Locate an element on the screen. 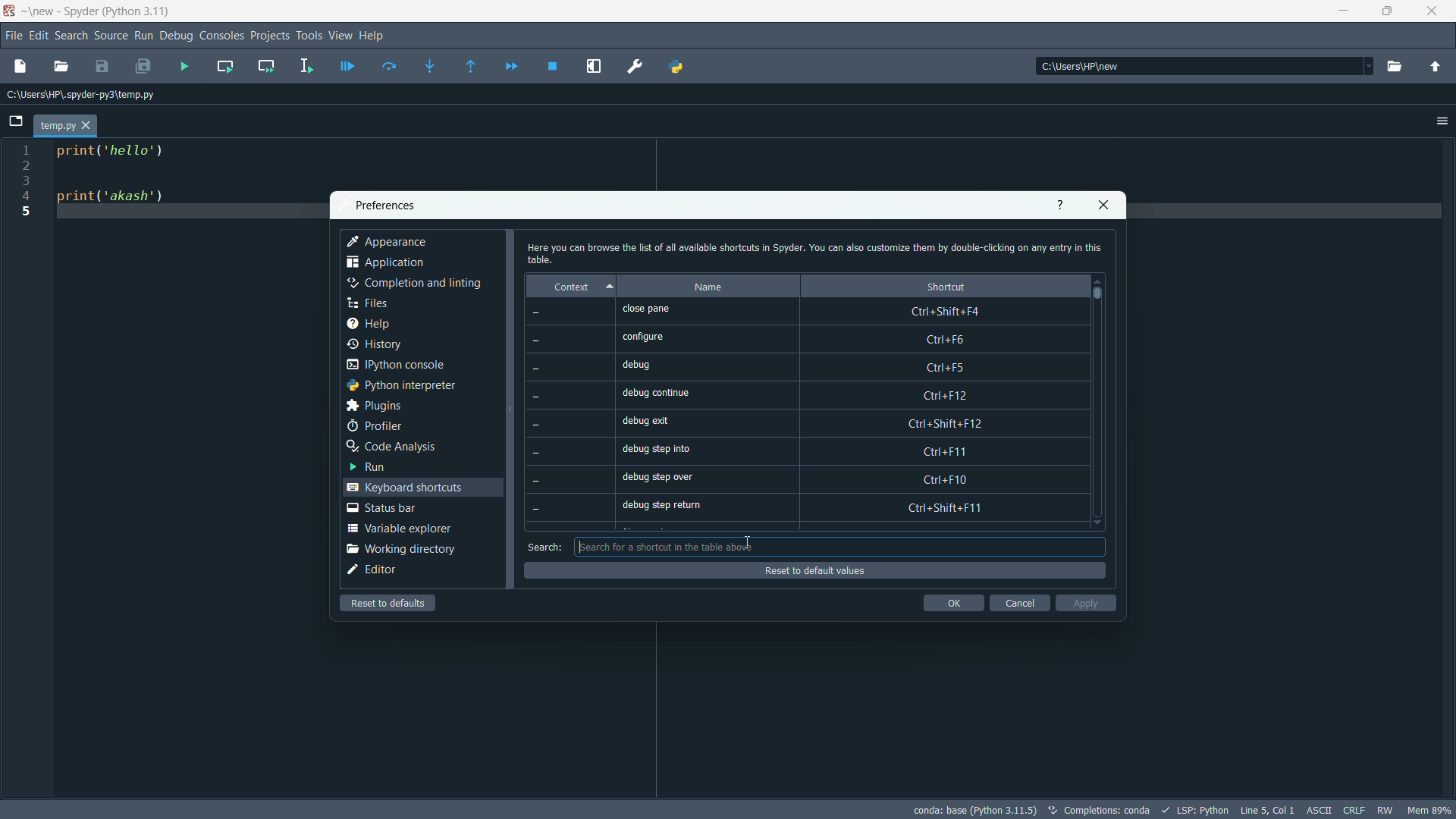 Image resolution: width=1456 pixels, height=819 pixels. code analysis is located at coordinates (396, 447).